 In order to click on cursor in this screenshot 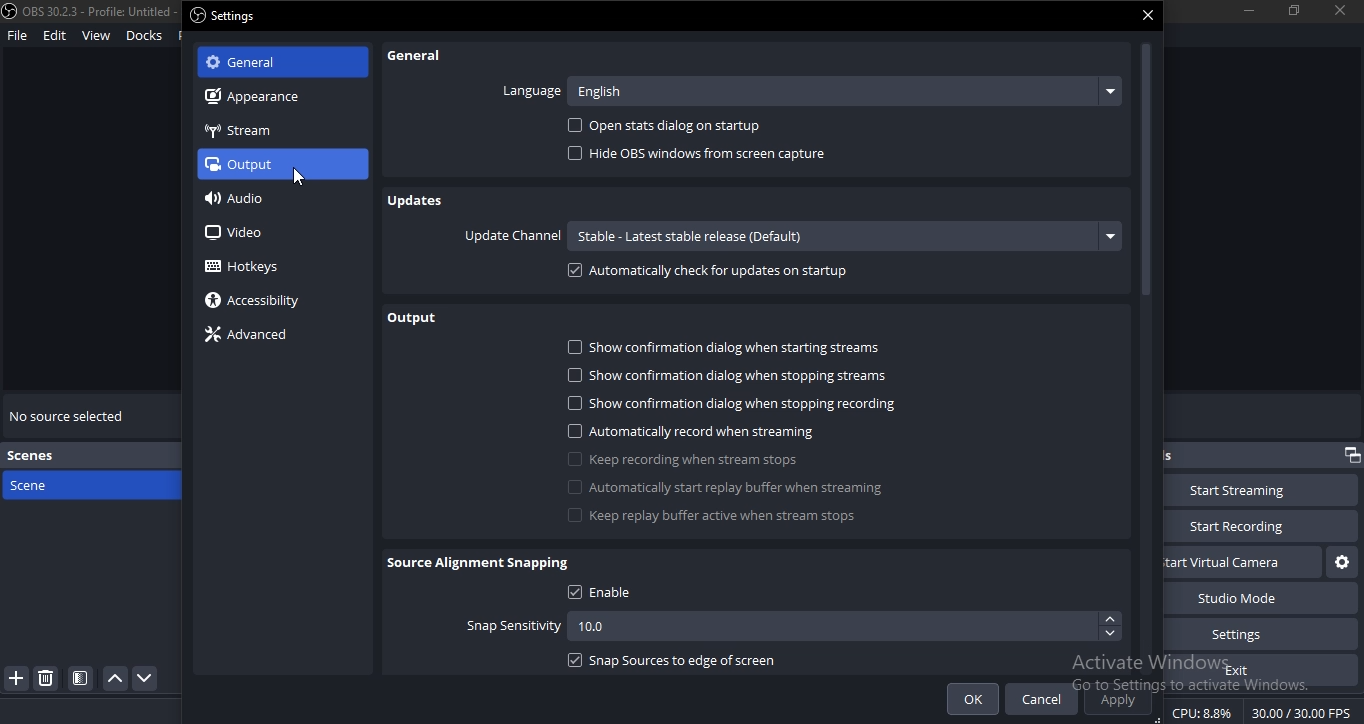, I will do `click(296, 179)`.